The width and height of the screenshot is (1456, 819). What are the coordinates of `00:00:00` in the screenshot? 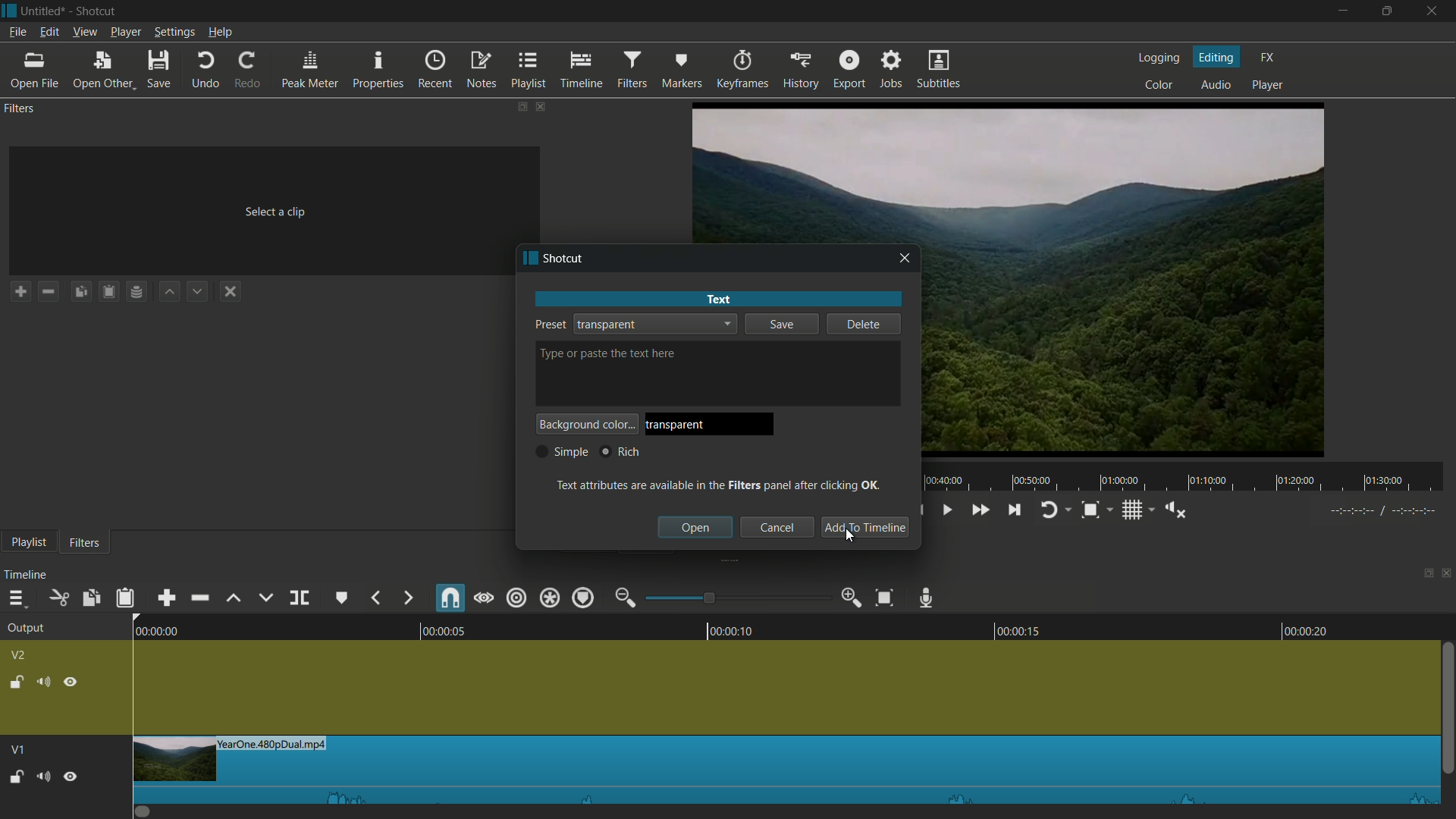 It's located at (148, 629).